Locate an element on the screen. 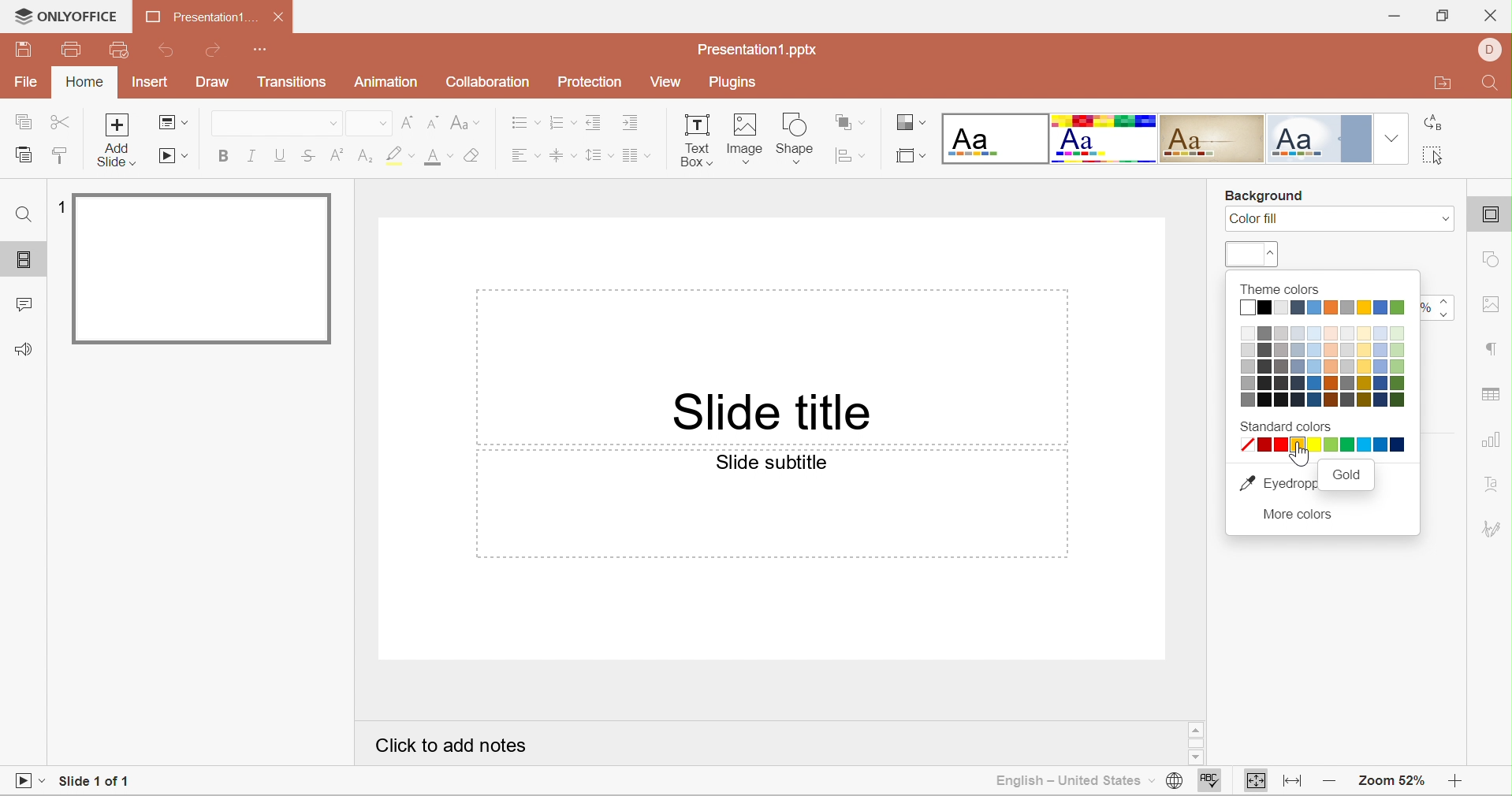  Fit to width is located at coordinates (1295, 783).